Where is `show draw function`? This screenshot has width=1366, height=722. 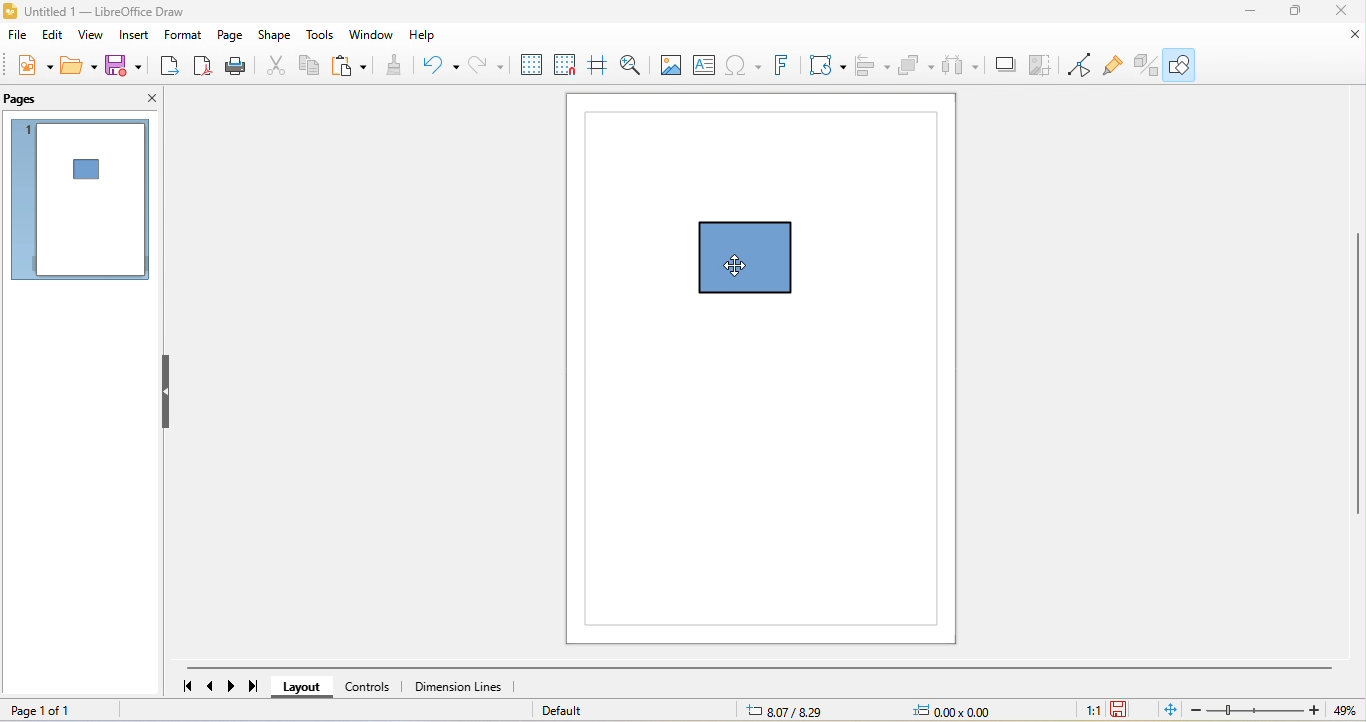 show draw function is located at coordinates (1183, 63).